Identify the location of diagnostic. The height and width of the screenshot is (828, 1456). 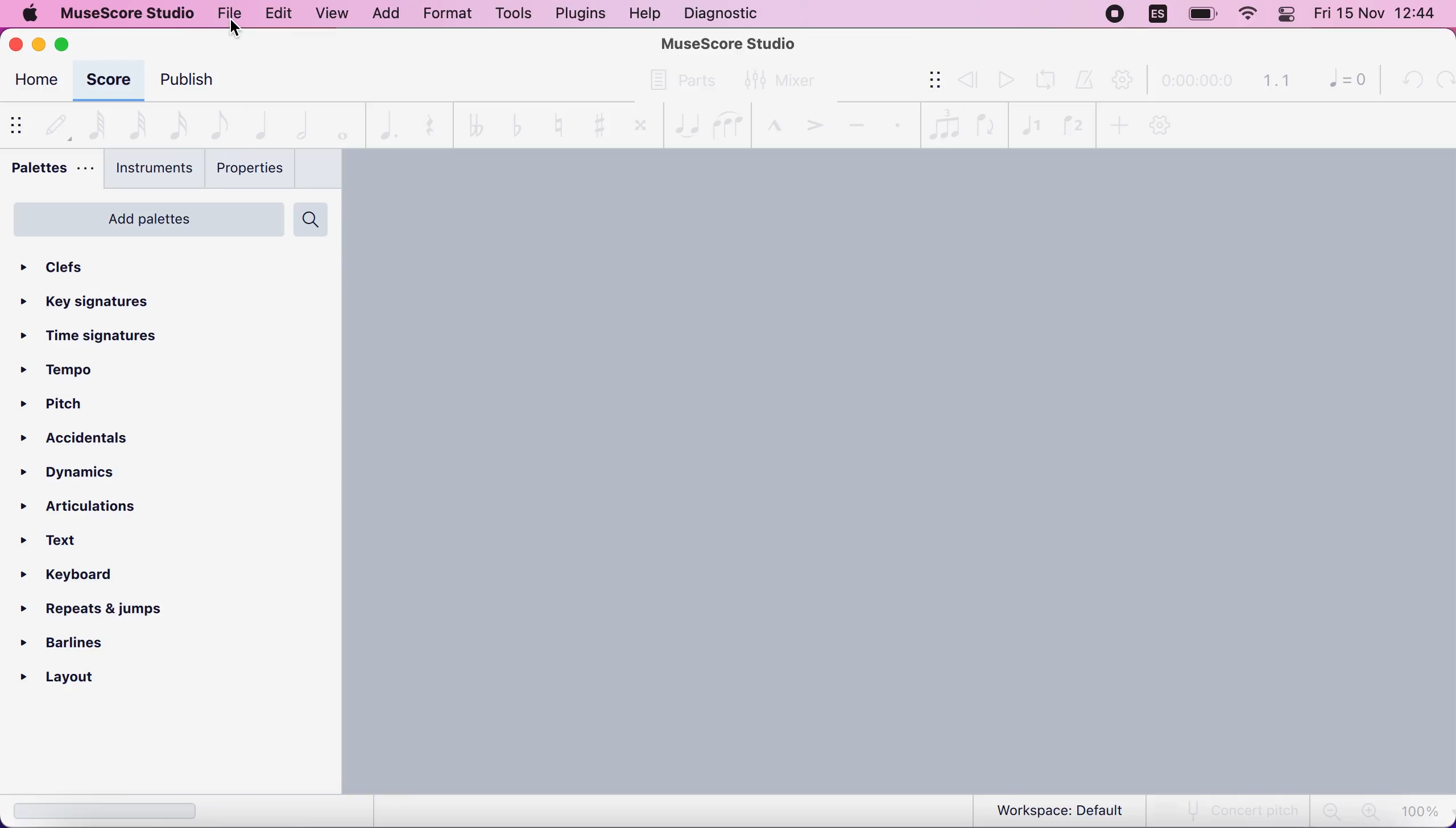
(725, 13).